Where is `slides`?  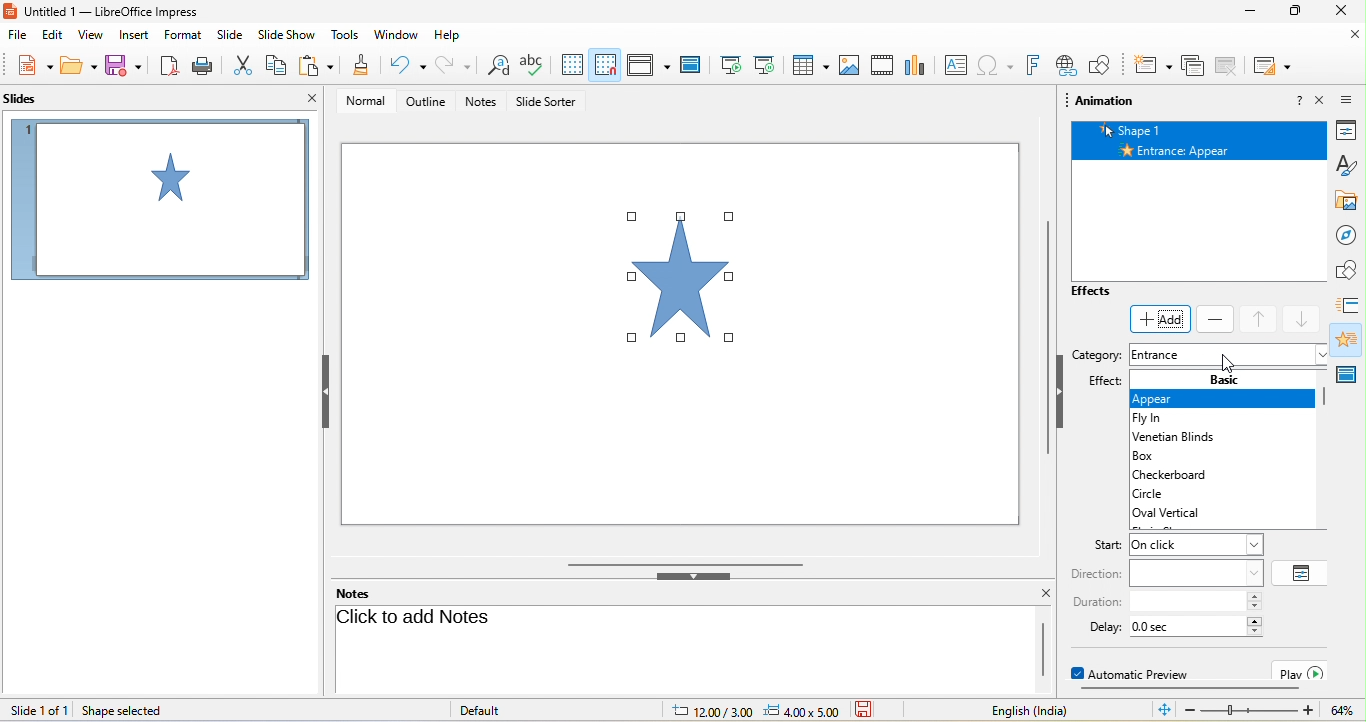 slides is located at coordinates (32, 98).